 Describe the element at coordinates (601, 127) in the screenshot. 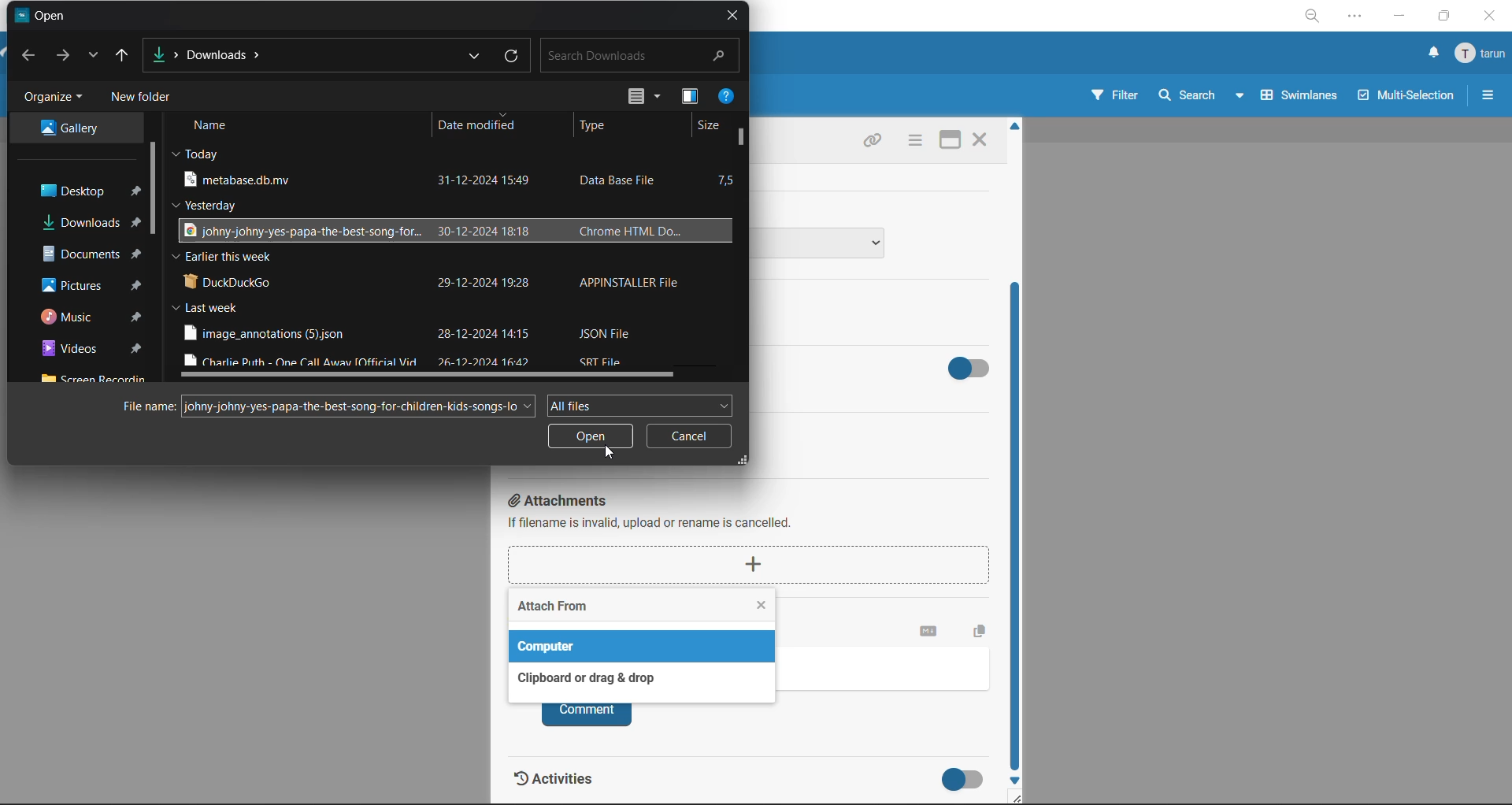

I see `type` at that location.